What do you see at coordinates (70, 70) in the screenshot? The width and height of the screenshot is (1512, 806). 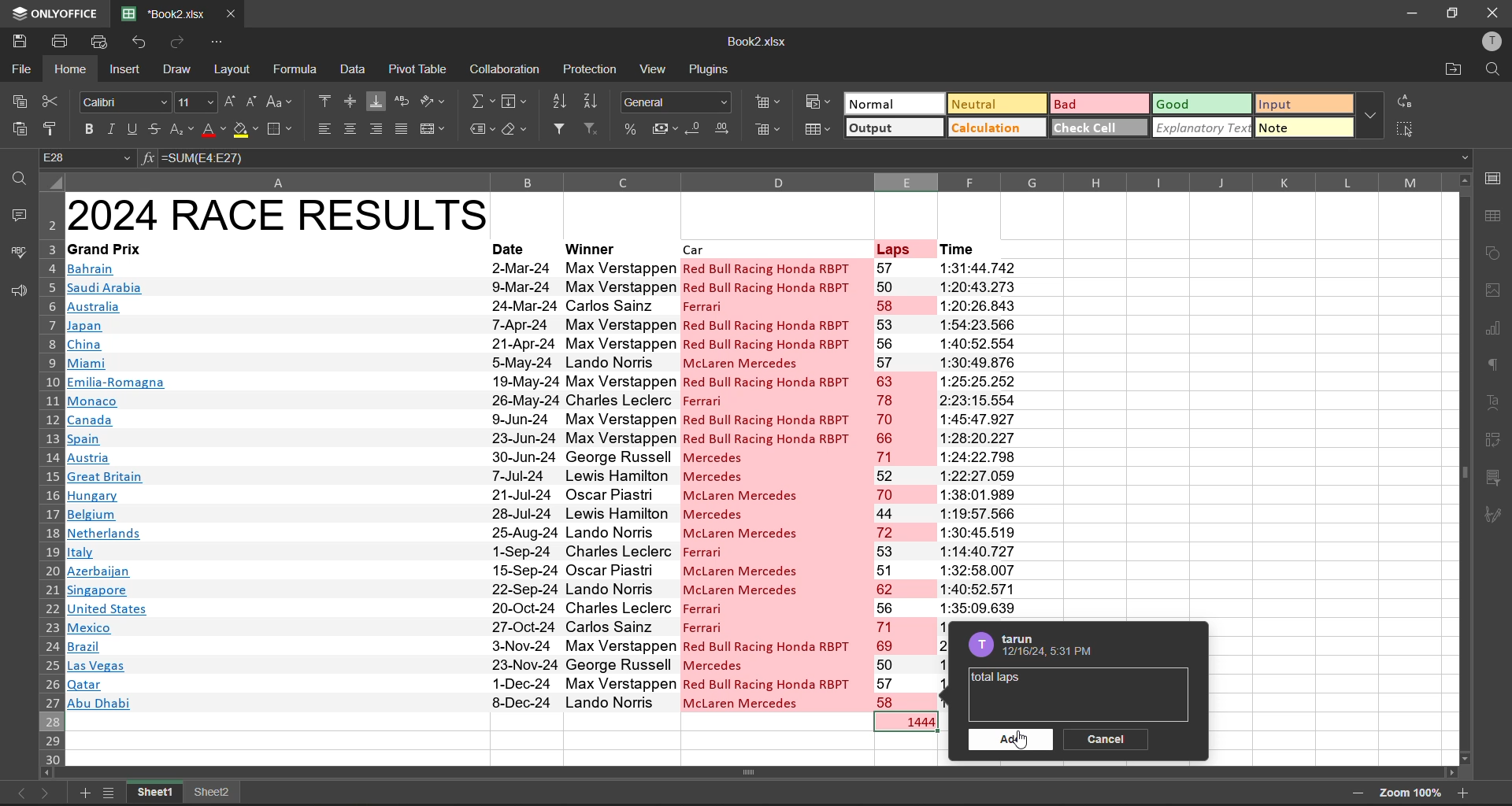 I see `home` at bounding box center [70, 70].